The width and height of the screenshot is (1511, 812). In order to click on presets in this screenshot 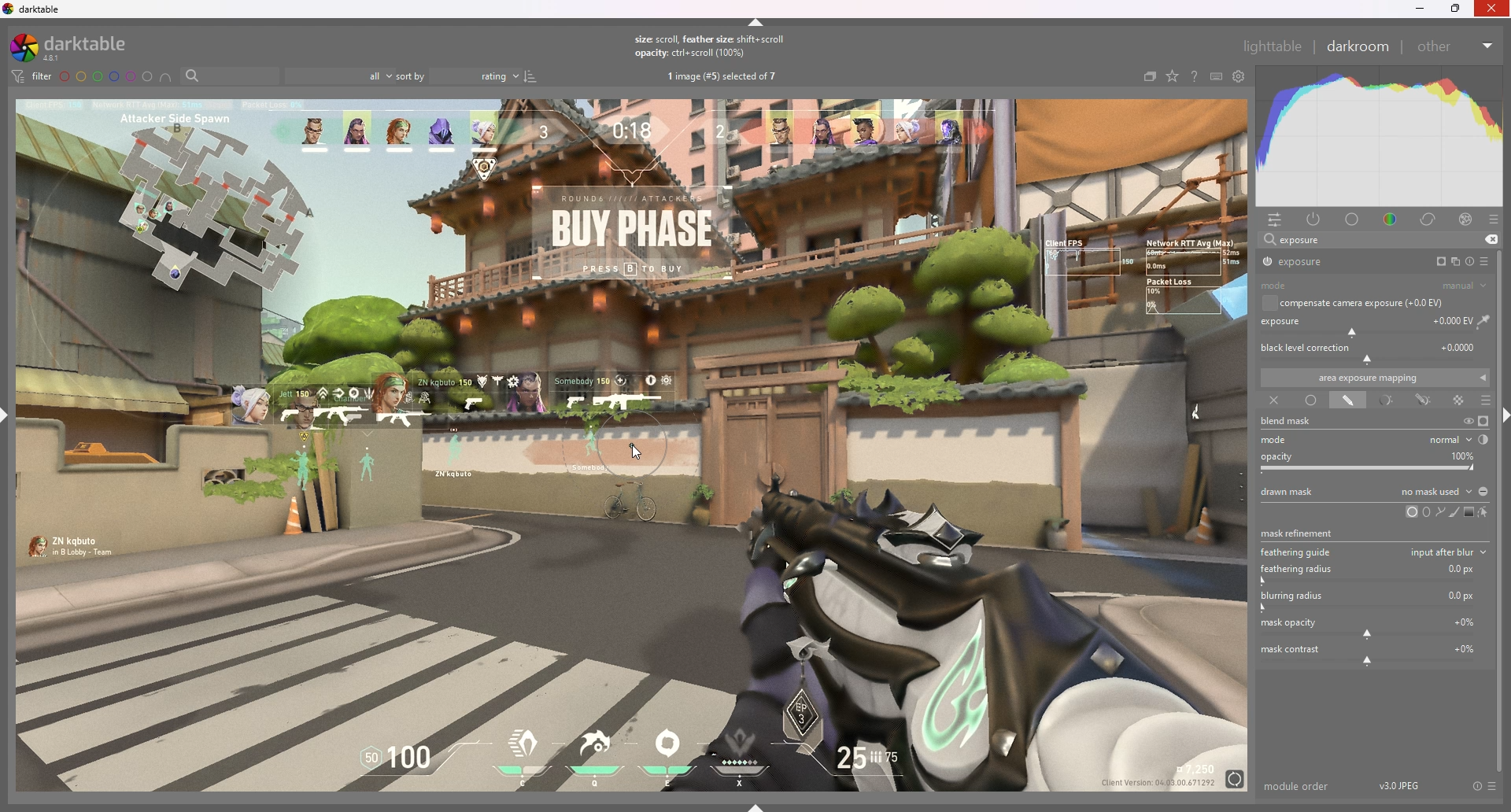, I will do `click(1494, 787)`.